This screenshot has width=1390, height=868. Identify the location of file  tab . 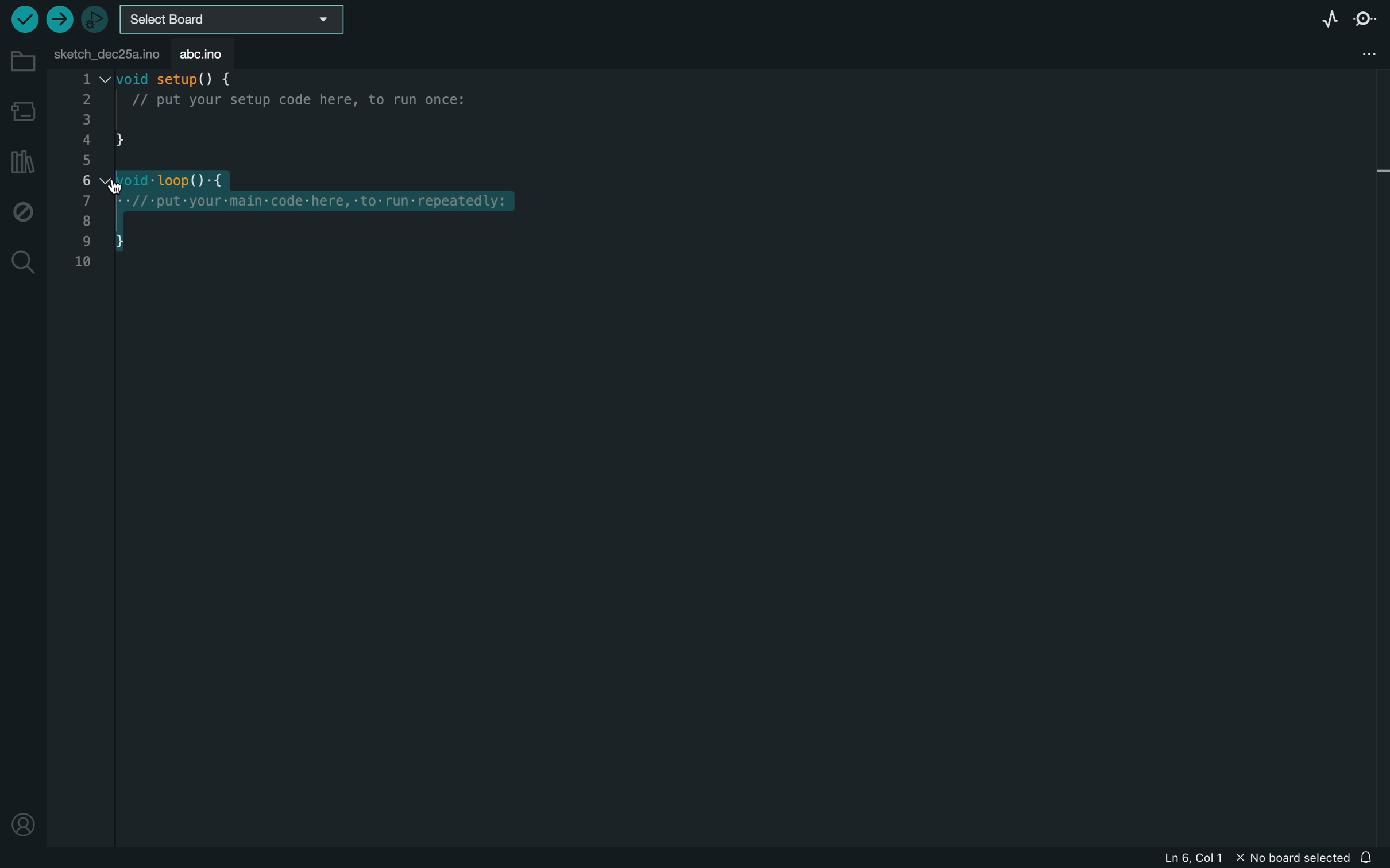
(104, 53).